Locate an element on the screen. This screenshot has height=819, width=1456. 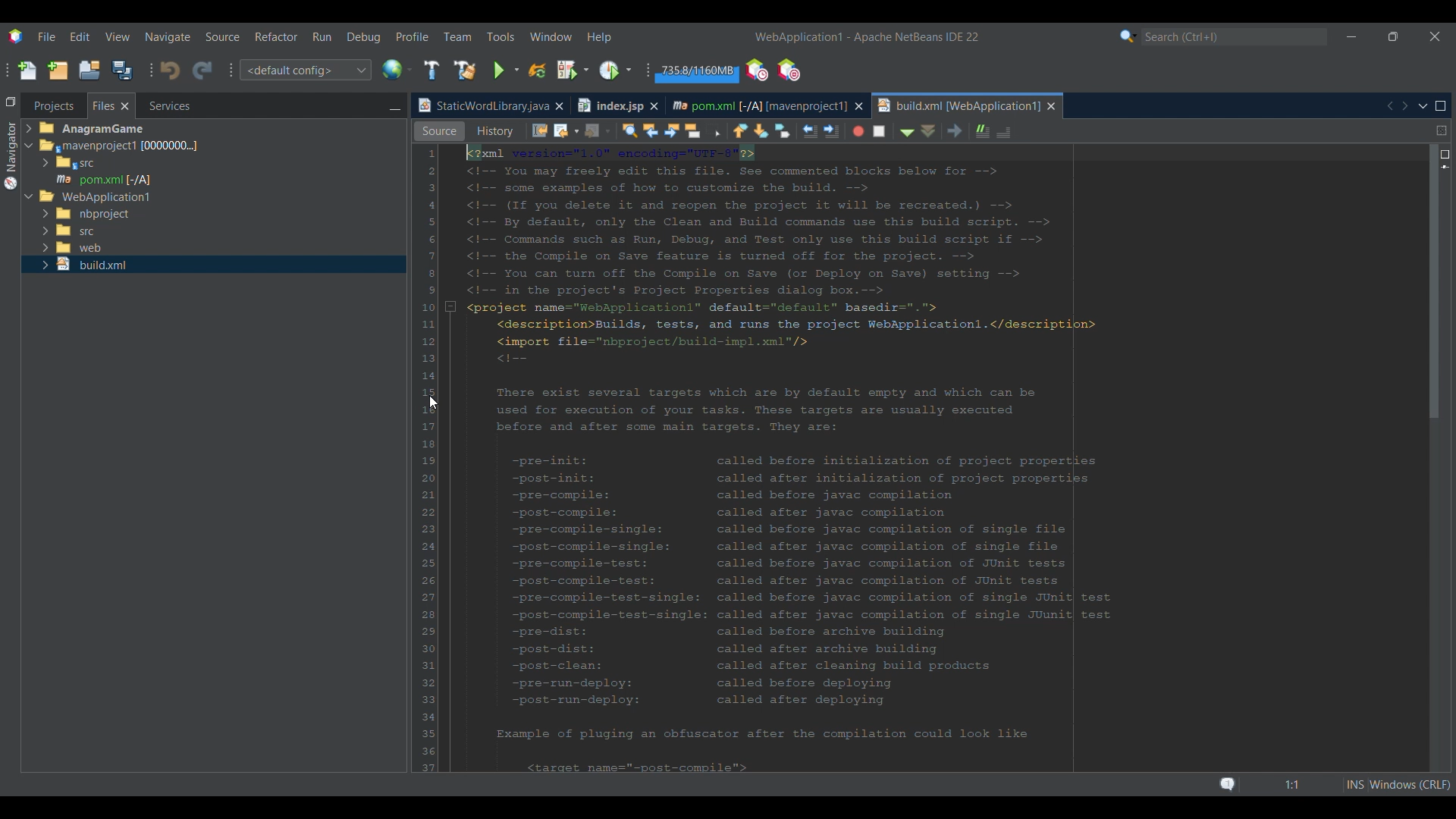
Toggle rectangular selection is located at coordinates (852, 132).